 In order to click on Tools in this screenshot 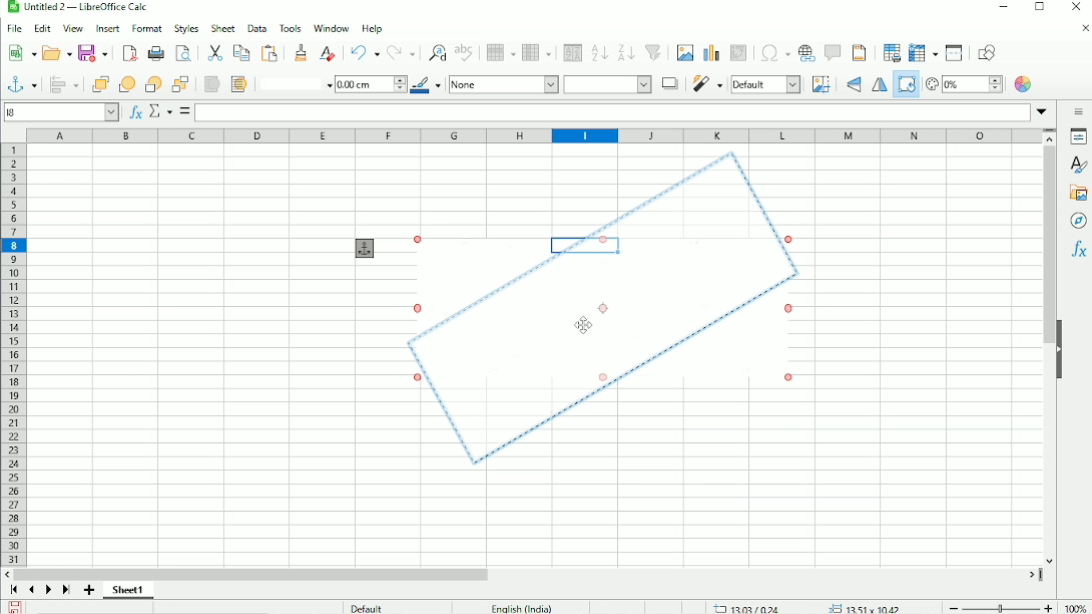, I will do `click(291, 29)`.